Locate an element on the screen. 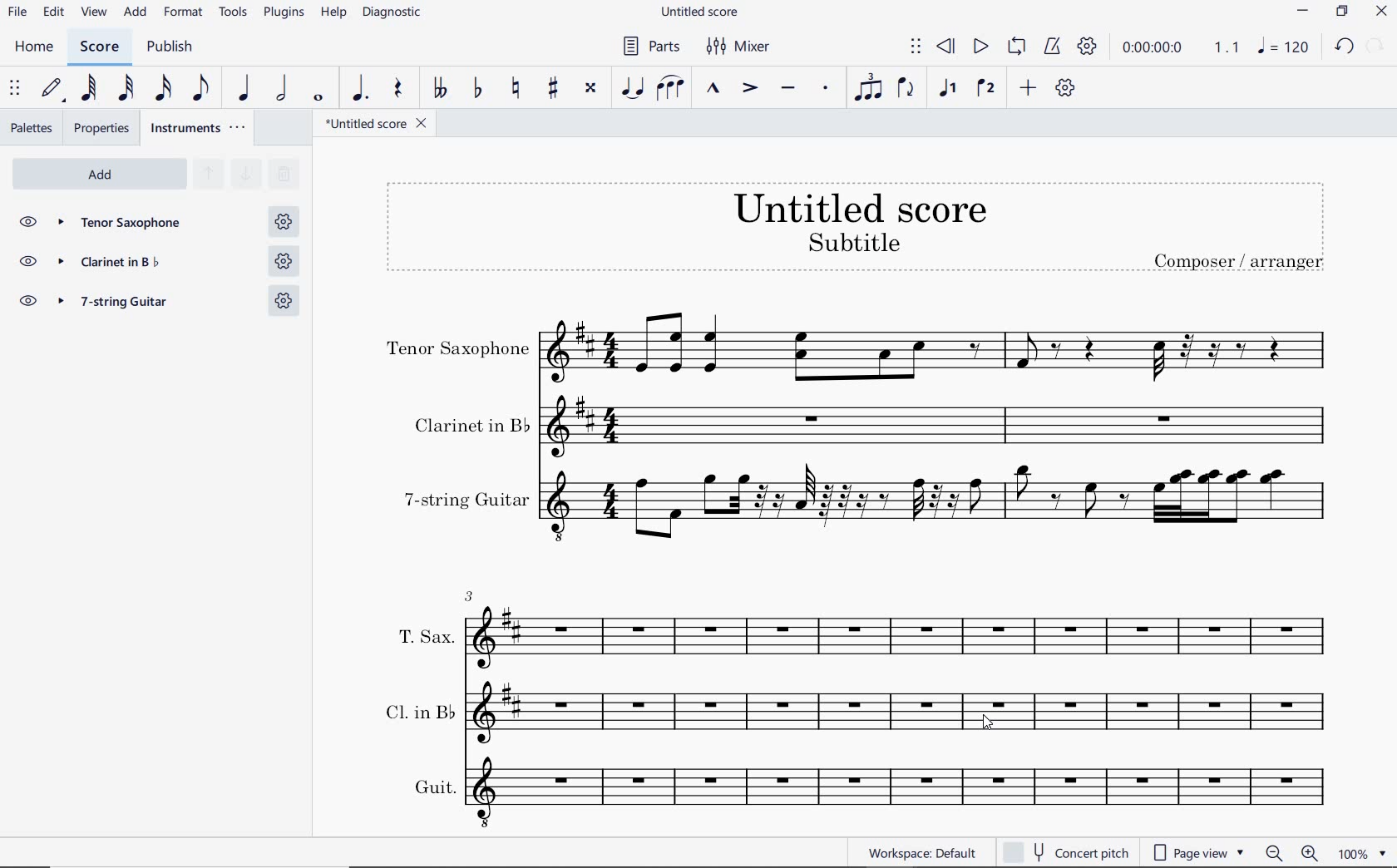 The height and width of the screenshot is (868, 1397). METRONOME is located at coordinates (1051, 47).